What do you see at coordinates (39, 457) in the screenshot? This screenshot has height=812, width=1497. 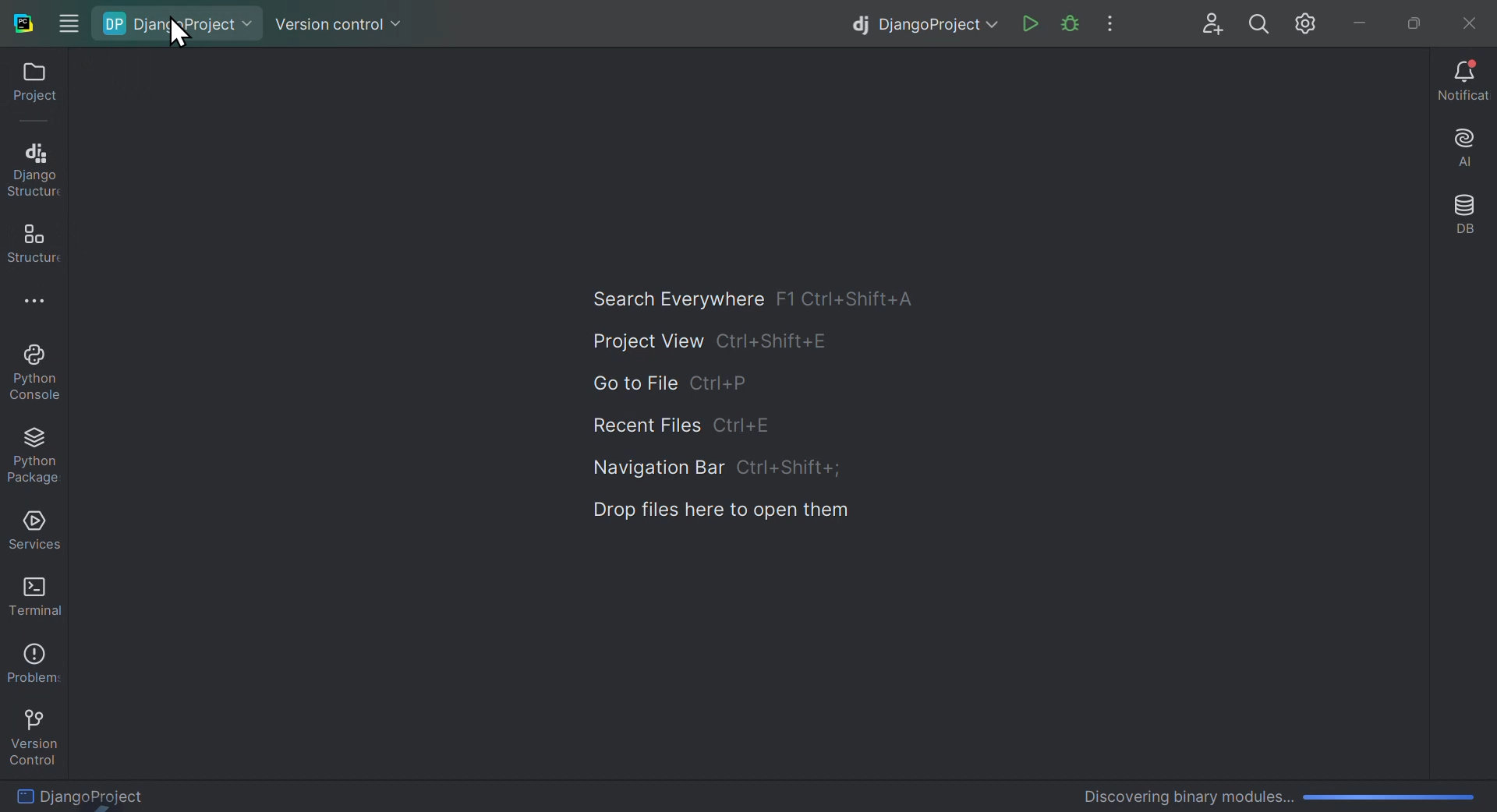 I see `Python package` at bounding box center [39, 457].